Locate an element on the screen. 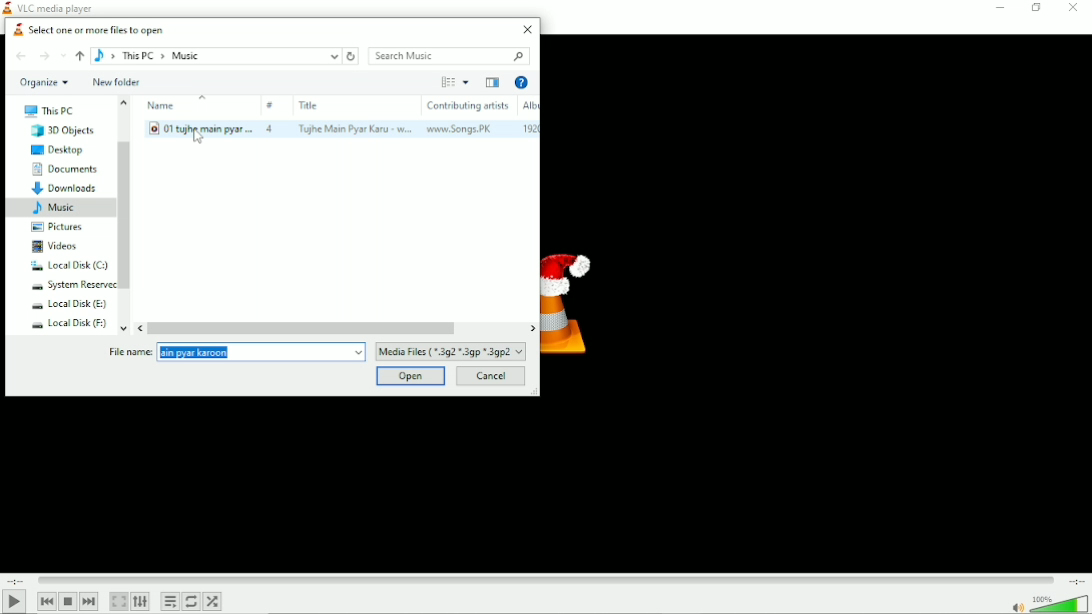 Image resolution: width=1092 pixels, height=614 pixels. Videos is located at coordinates (54, 245).